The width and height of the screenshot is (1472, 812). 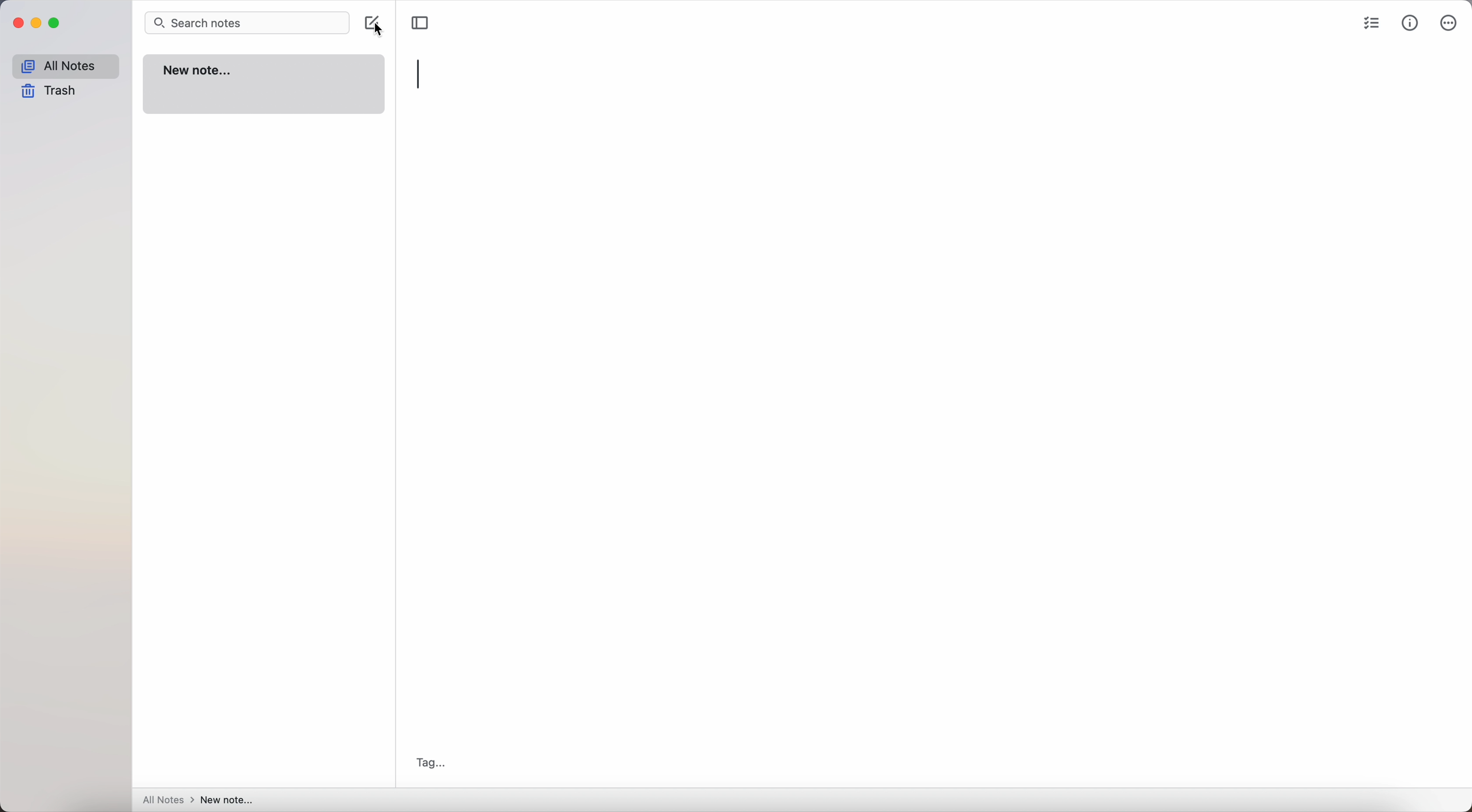 What do you see at coordinates (1448, 22) in the screenshot?
I see `more options` at bounding box center [1448, 22].